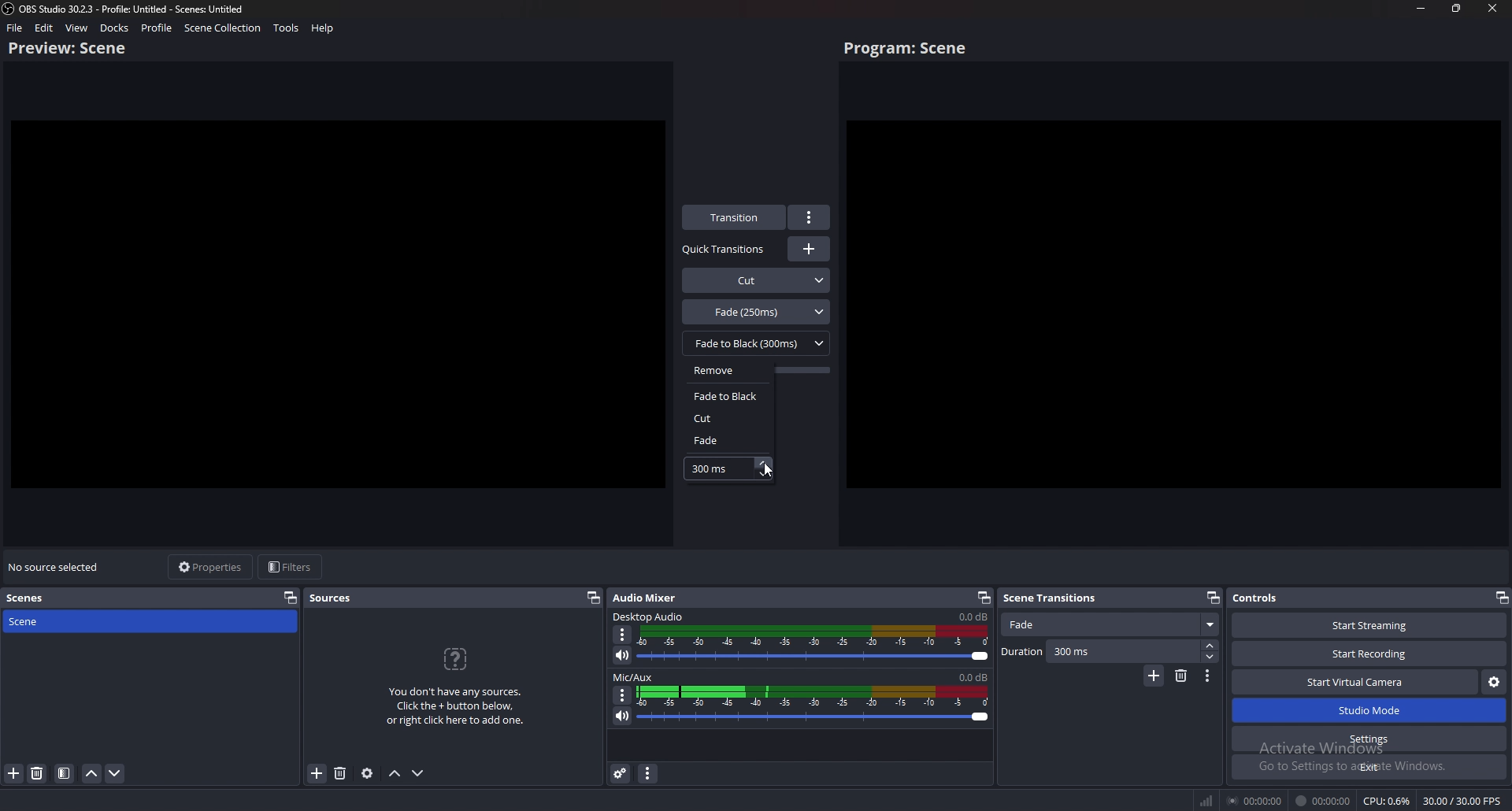  What do you see at coordinates (37, 774) in the screenshot?
I see `delete source` at bounding box center [37, 774].